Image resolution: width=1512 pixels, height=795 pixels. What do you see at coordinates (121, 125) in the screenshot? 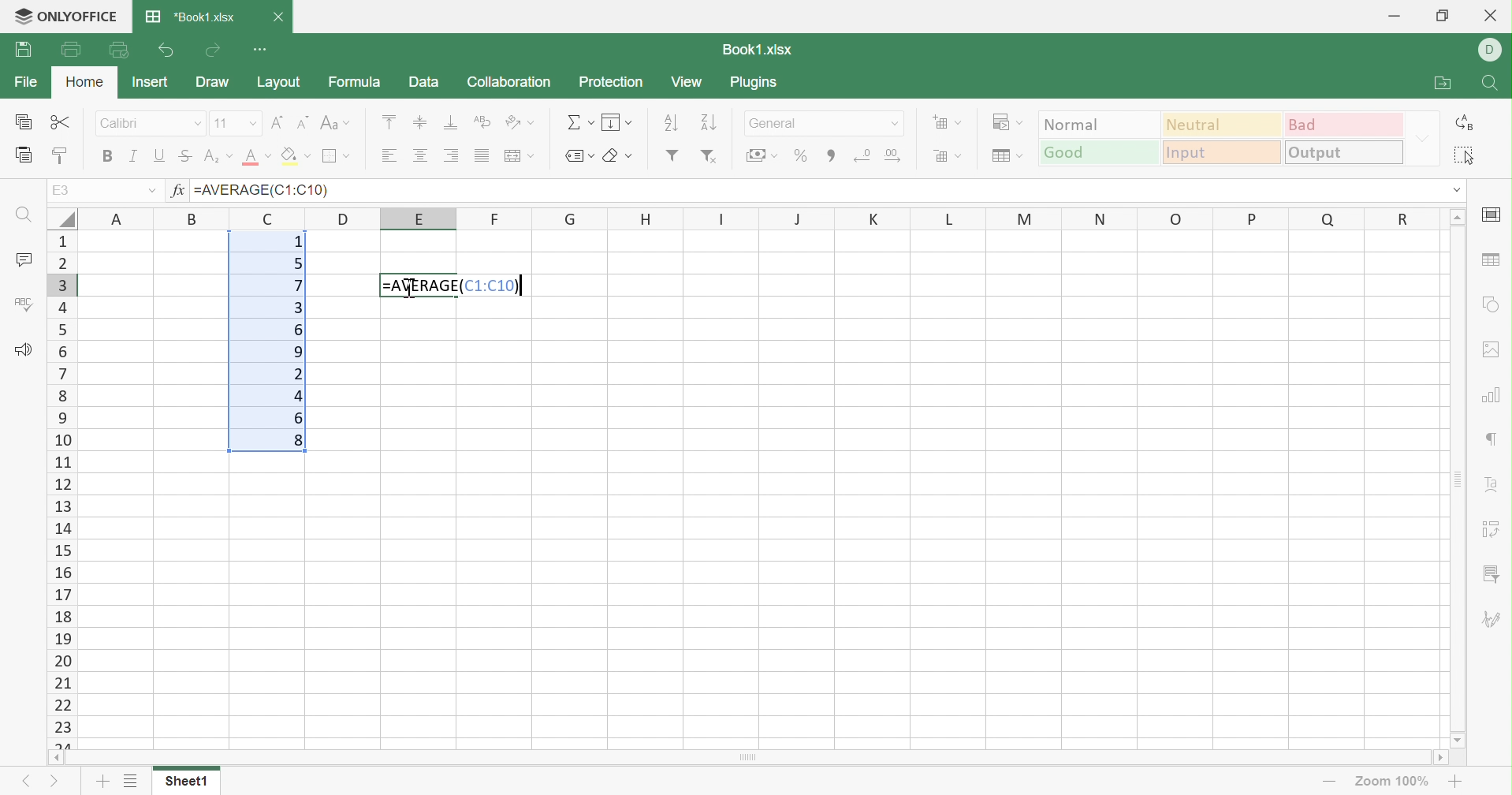
I see `Calibri` at bounding box center [121, 125].